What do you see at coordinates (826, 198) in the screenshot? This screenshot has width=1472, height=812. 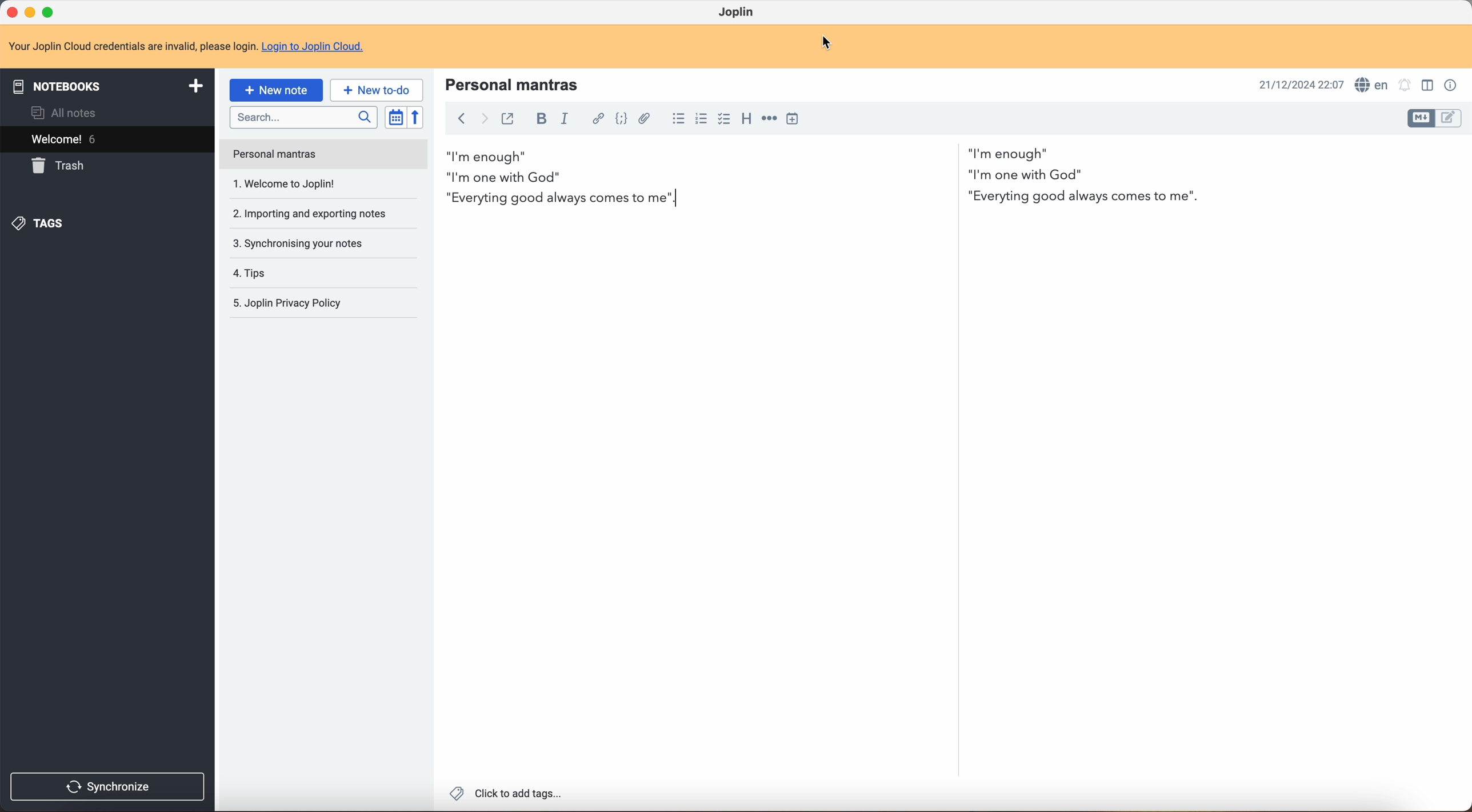 I see `everyting good always comes to me third mantra` at bounding box center [826, 198].